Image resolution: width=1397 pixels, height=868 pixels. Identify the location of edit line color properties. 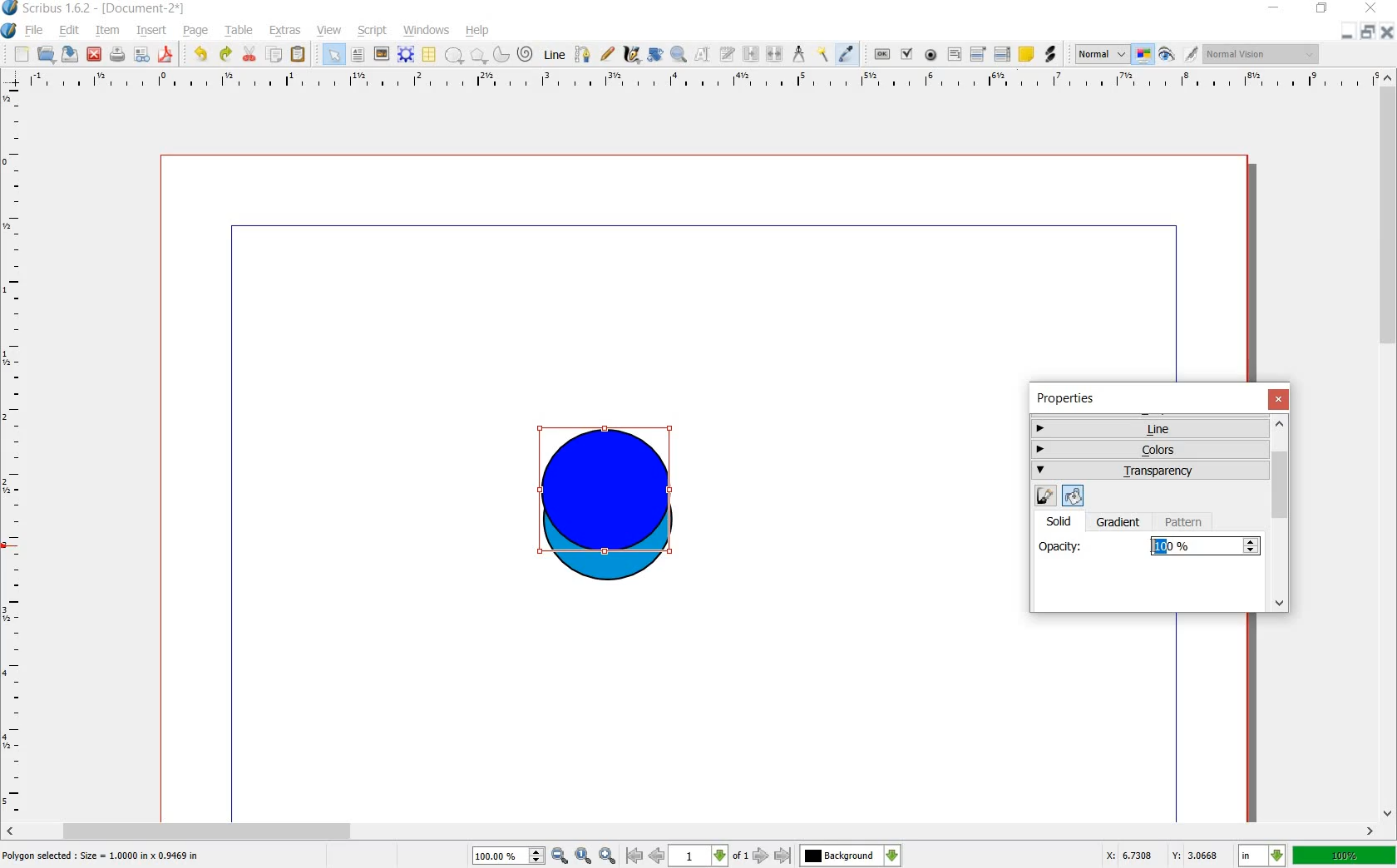
(1044, 496).